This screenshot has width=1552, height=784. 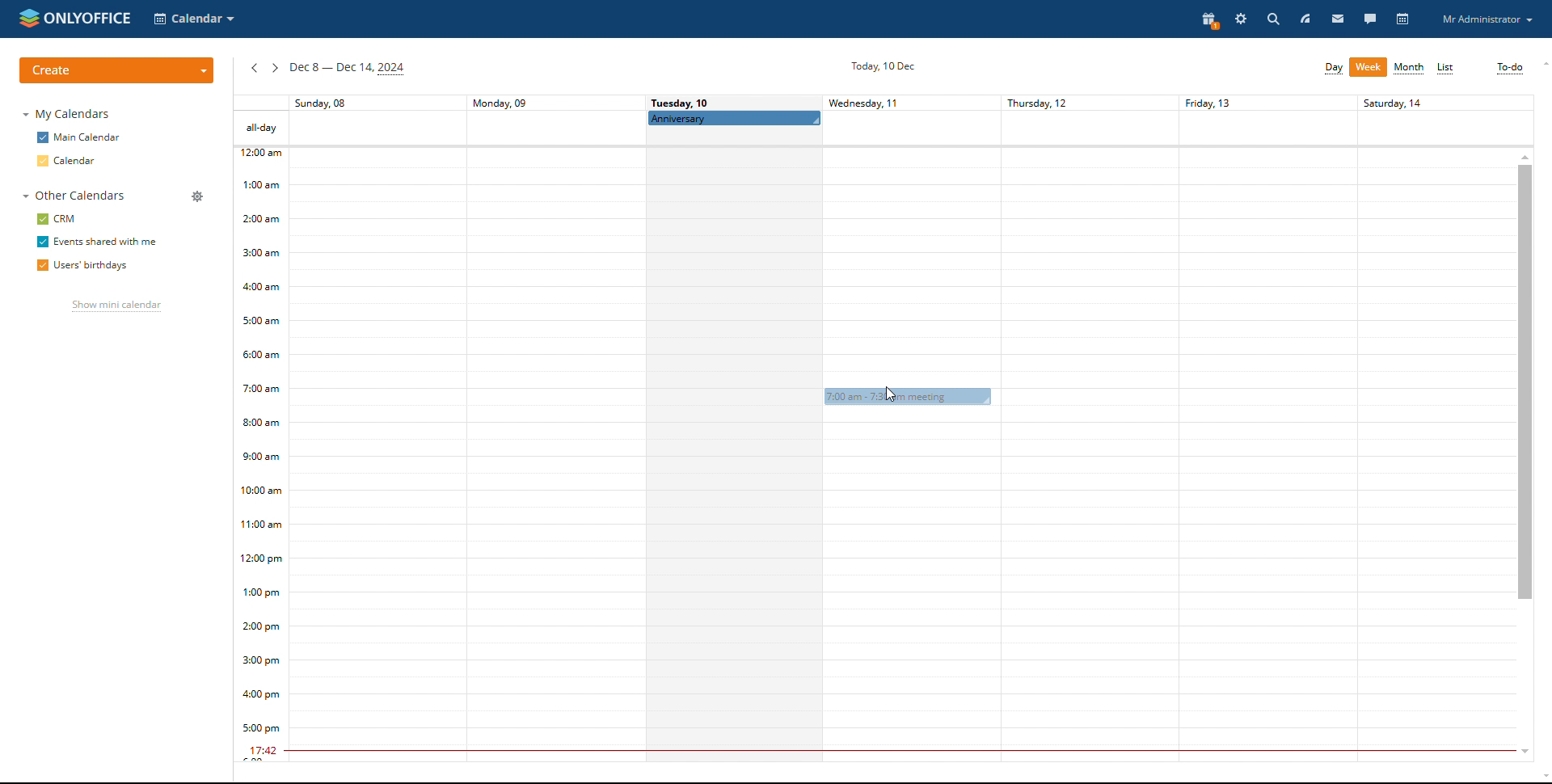 What do you see at coordinates (1272, 19) in the screenshot?
I see `search` at bounding box center [1272, 19].